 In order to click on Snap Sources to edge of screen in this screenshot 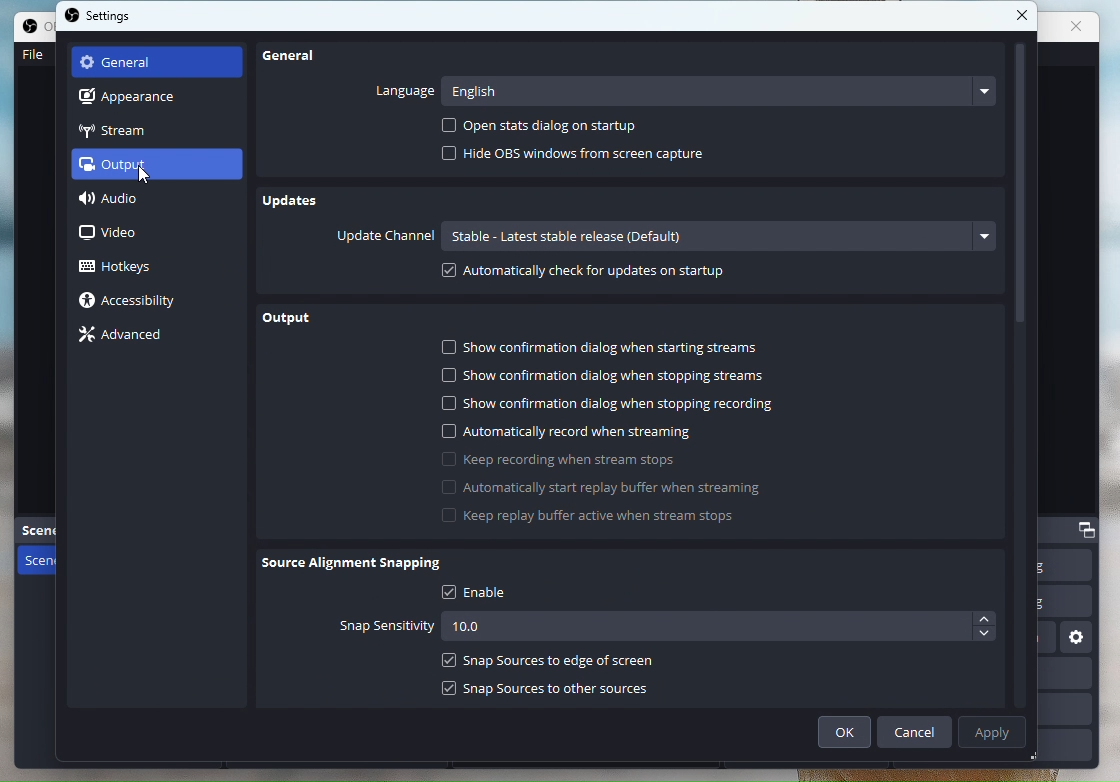, I will do `click(547, 661)`.